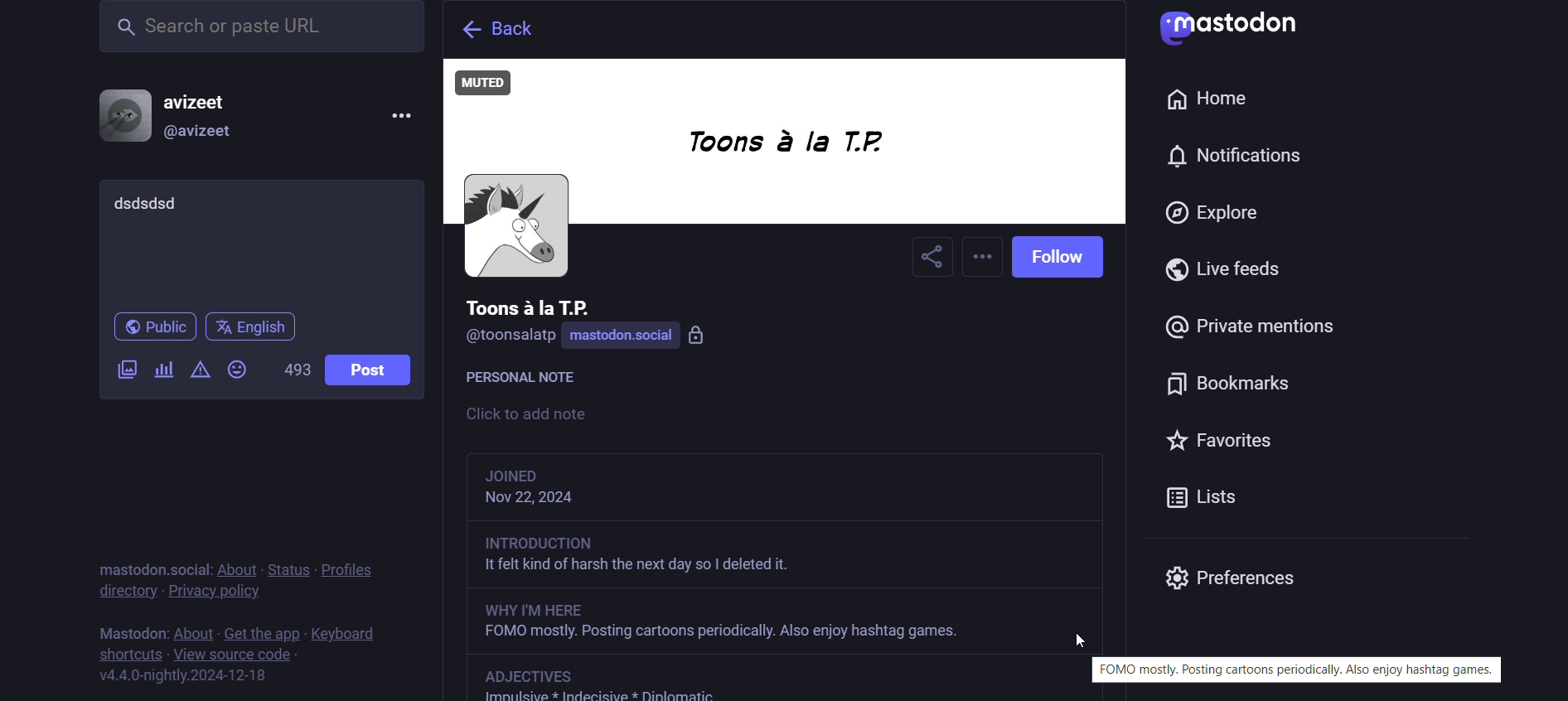 This screenshot has width=1568, height=701. What do you see at coordinates (208, 99) in the screenshot?
I see `username` at bounding box center [208, 99].